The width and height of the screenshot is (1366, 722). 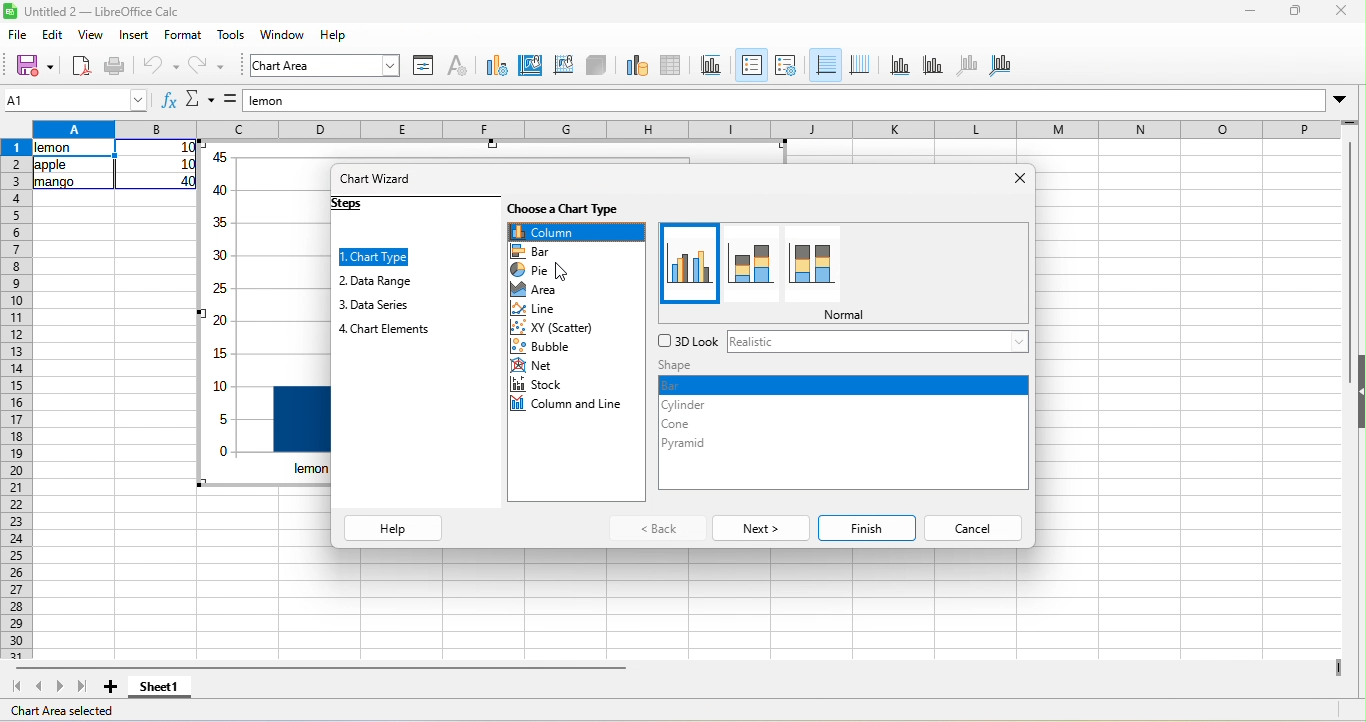 I want to click on export directly as pdf, so click(x=82, y=65).